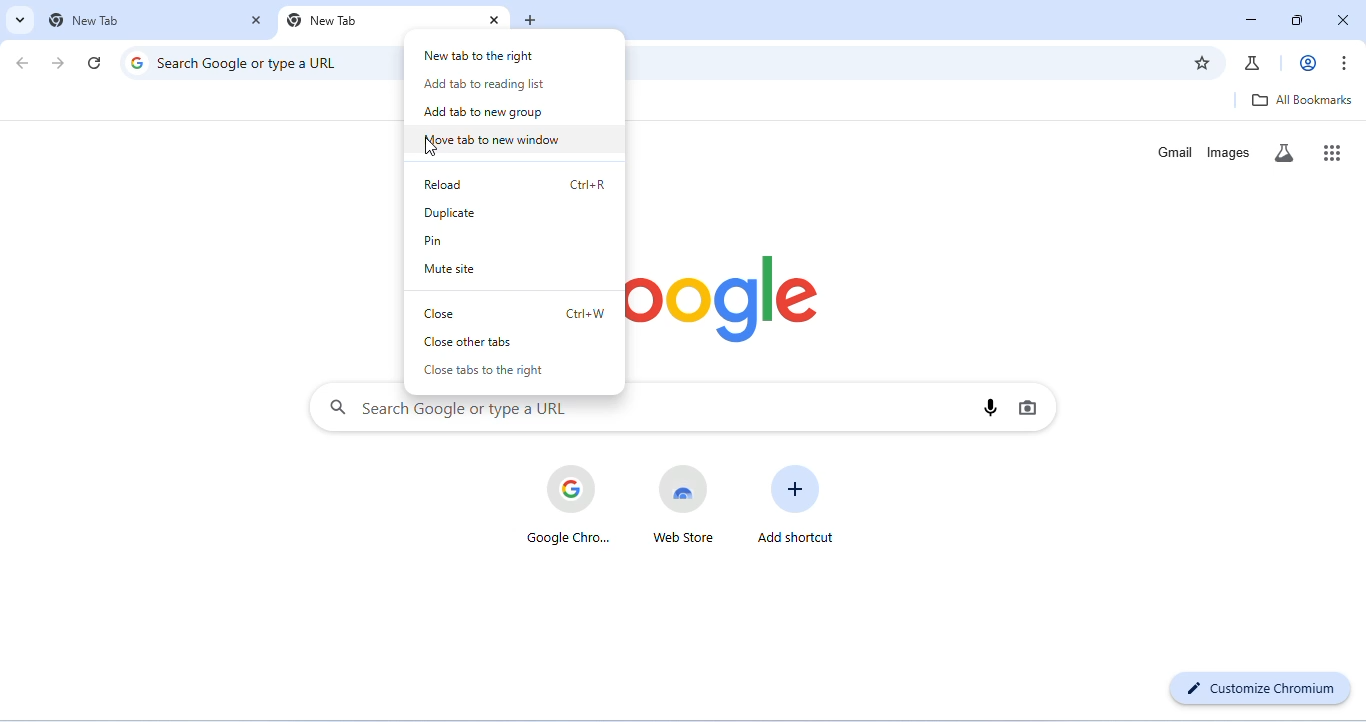 Image resolution: width=1366 pixels, height=722 pixels. I want to click on move tab to new window, so click(497, 140).